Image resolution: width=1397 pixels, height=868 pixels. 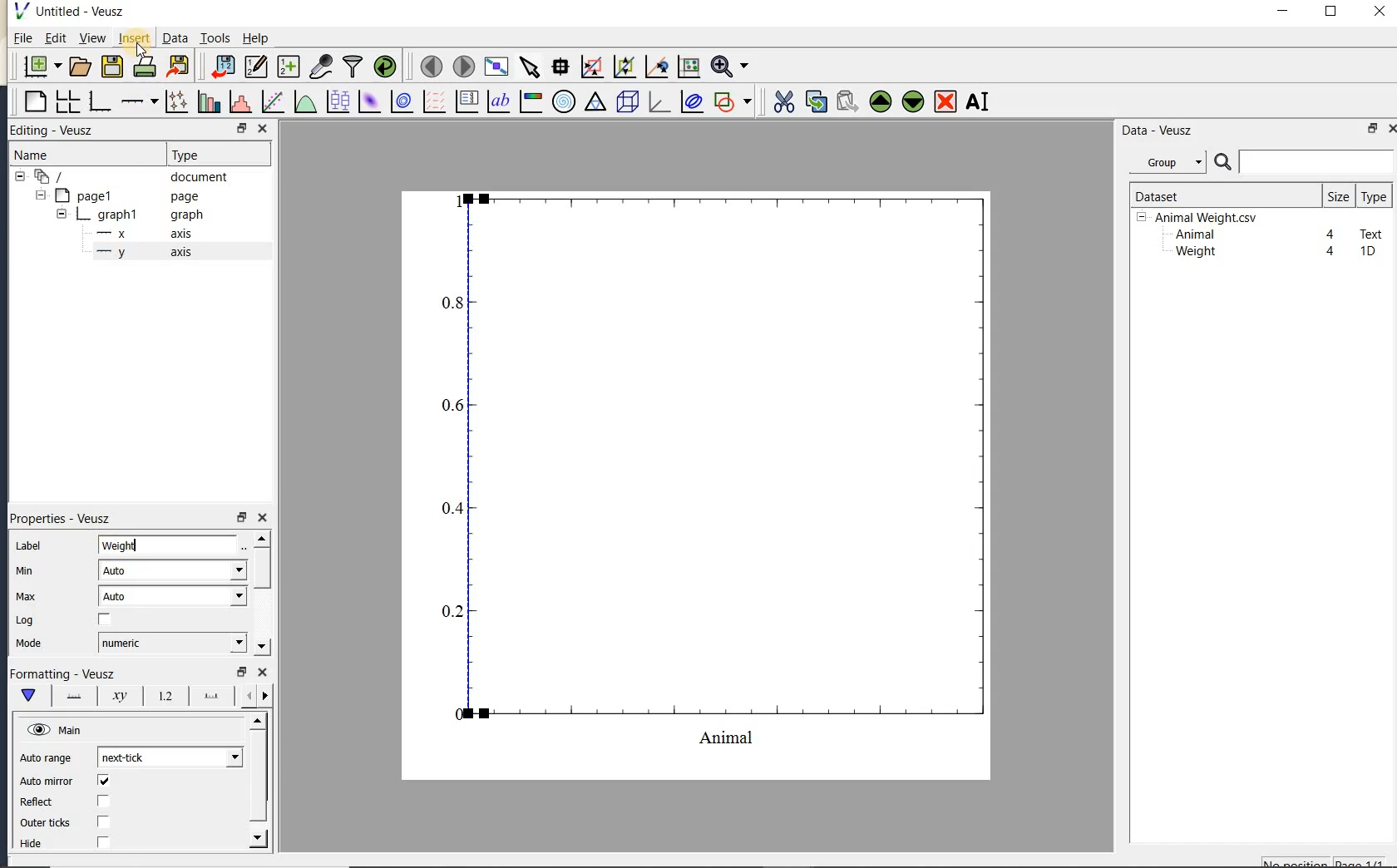 I want to click on Auto range, so click(x=46, y=758).